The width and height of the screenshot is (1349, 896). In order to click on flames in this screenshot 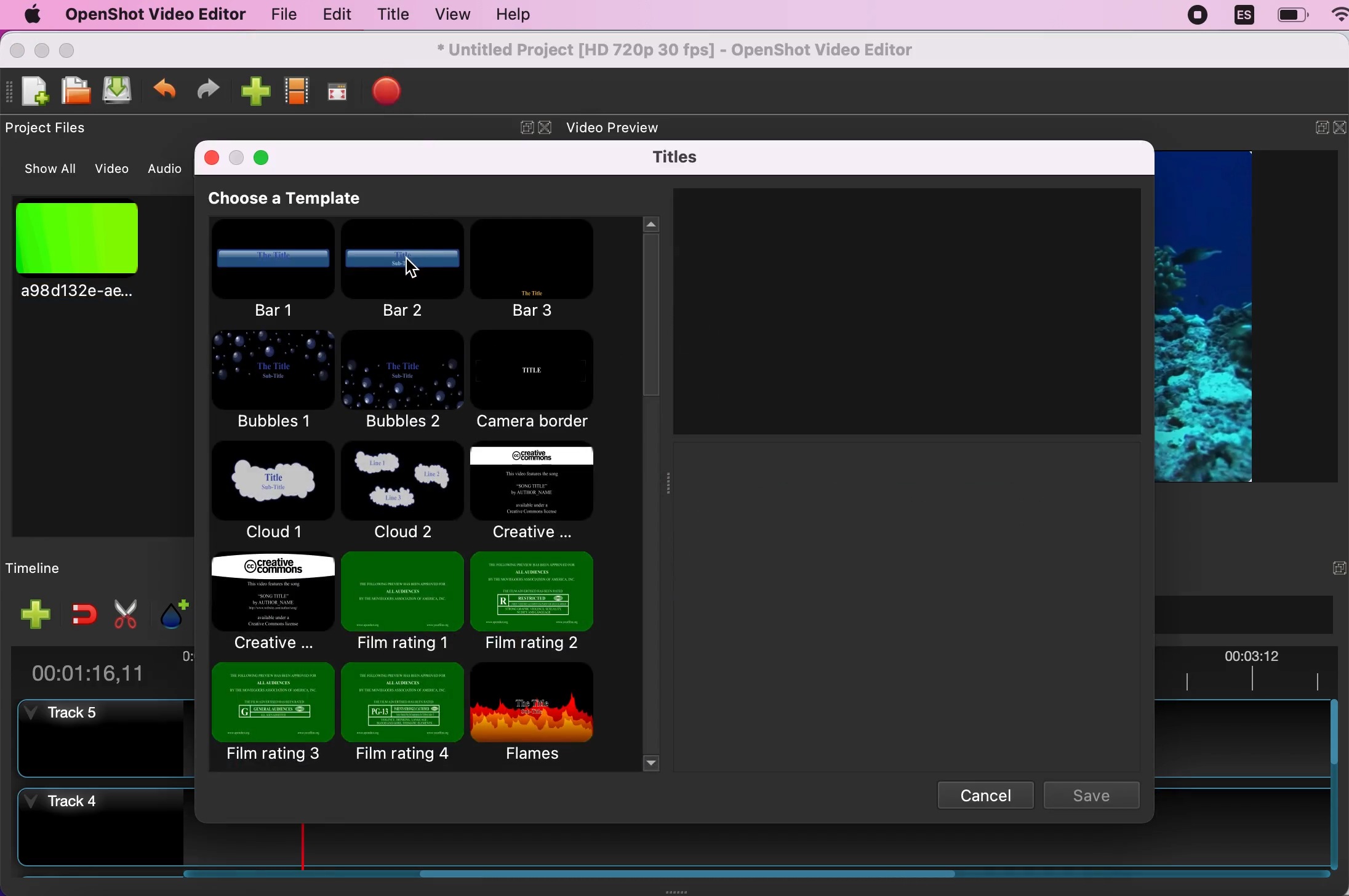, I will do `click(542, 711)`.